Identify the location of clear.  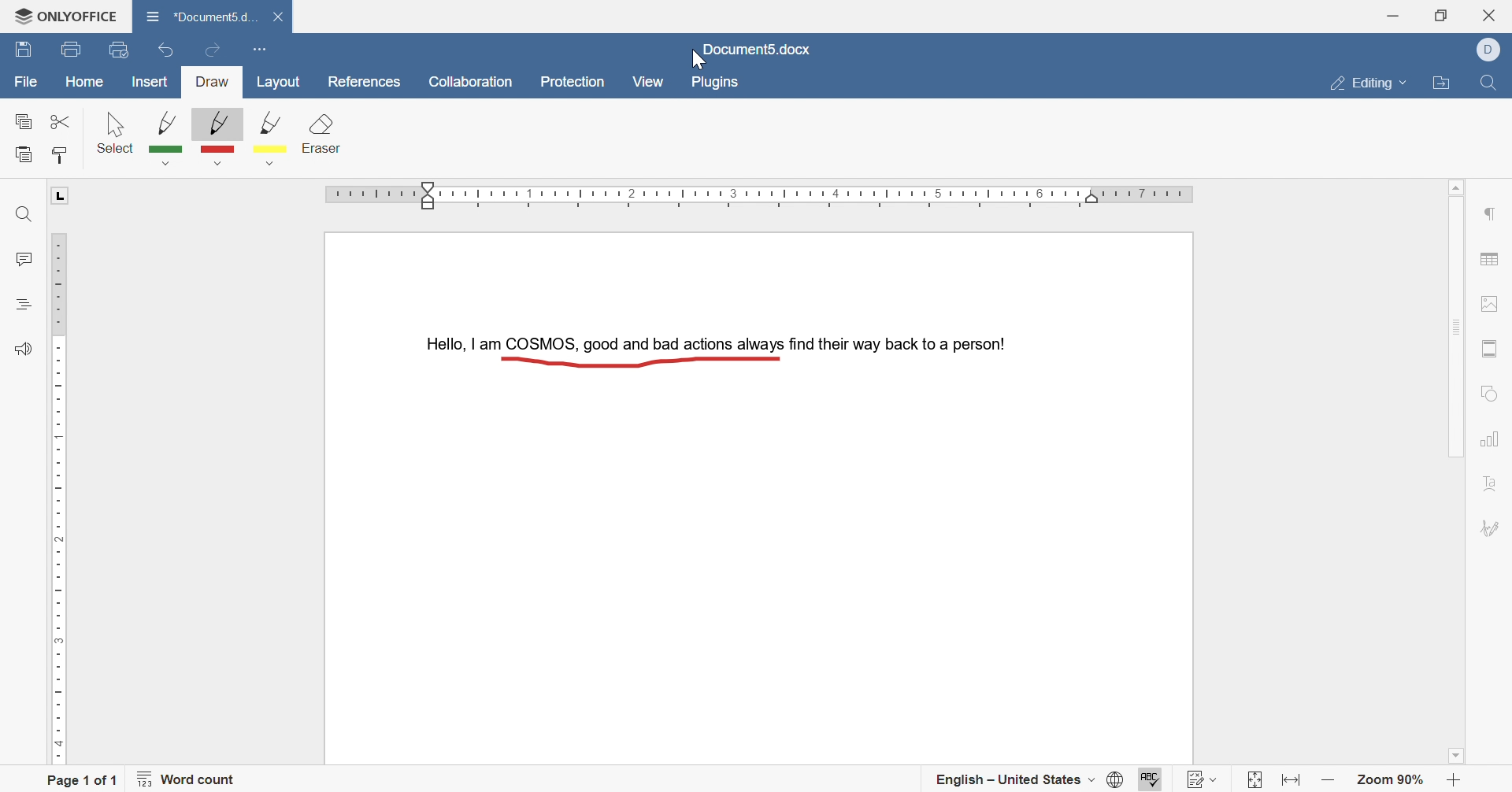
(324, 136).